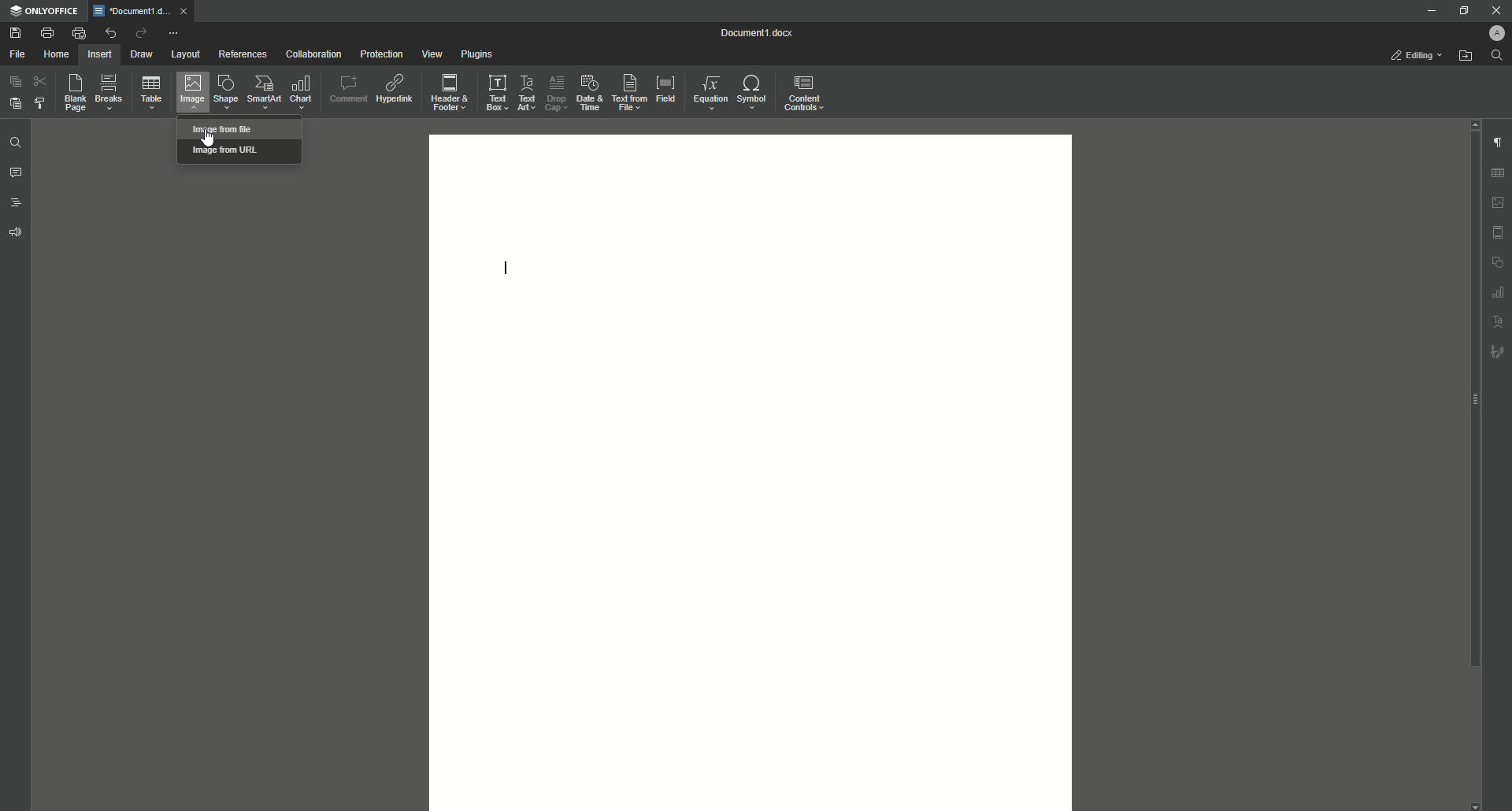 The width and height of the screenshot is (1512, 811). Describe the element at coordinates (17, 172) in the screenshot. I see `Comments` at that location.